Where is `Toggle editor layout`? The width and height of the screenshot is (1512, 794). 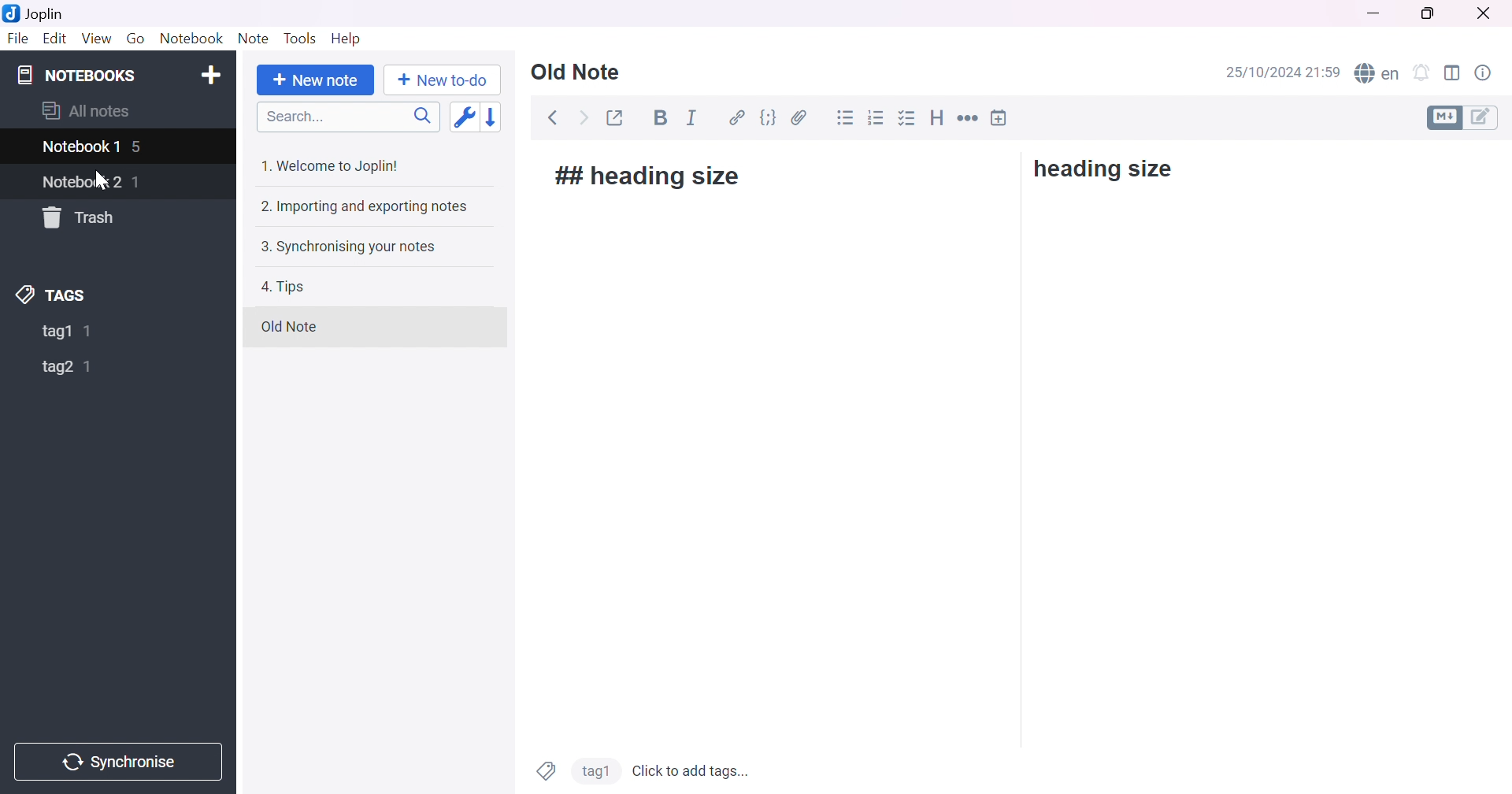 Toggle editor layout is located at coordinates (1455, 74).